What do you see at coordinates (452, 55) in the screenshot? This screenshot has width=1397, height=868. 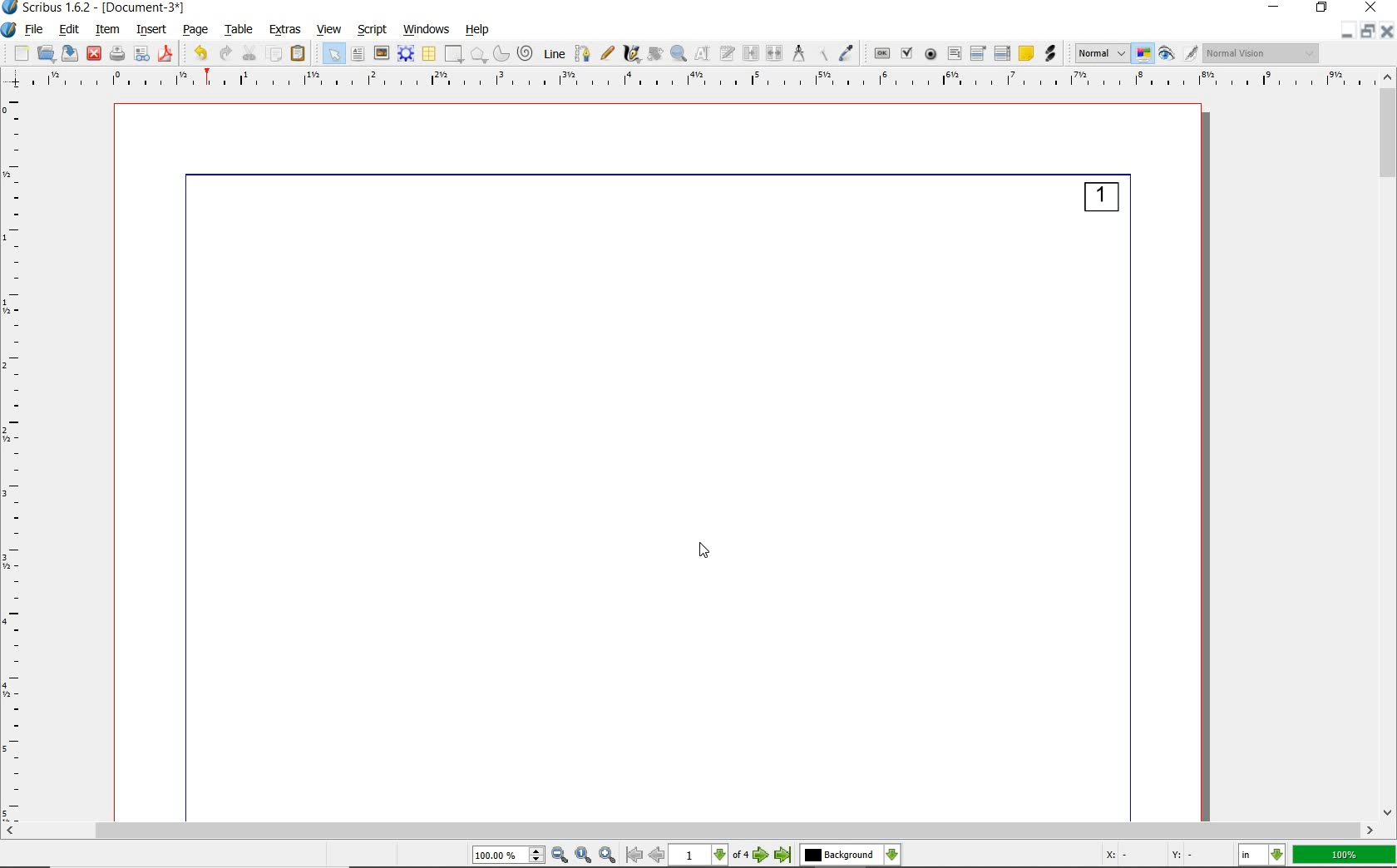 I see `shape` at bounding box center [452, 55].